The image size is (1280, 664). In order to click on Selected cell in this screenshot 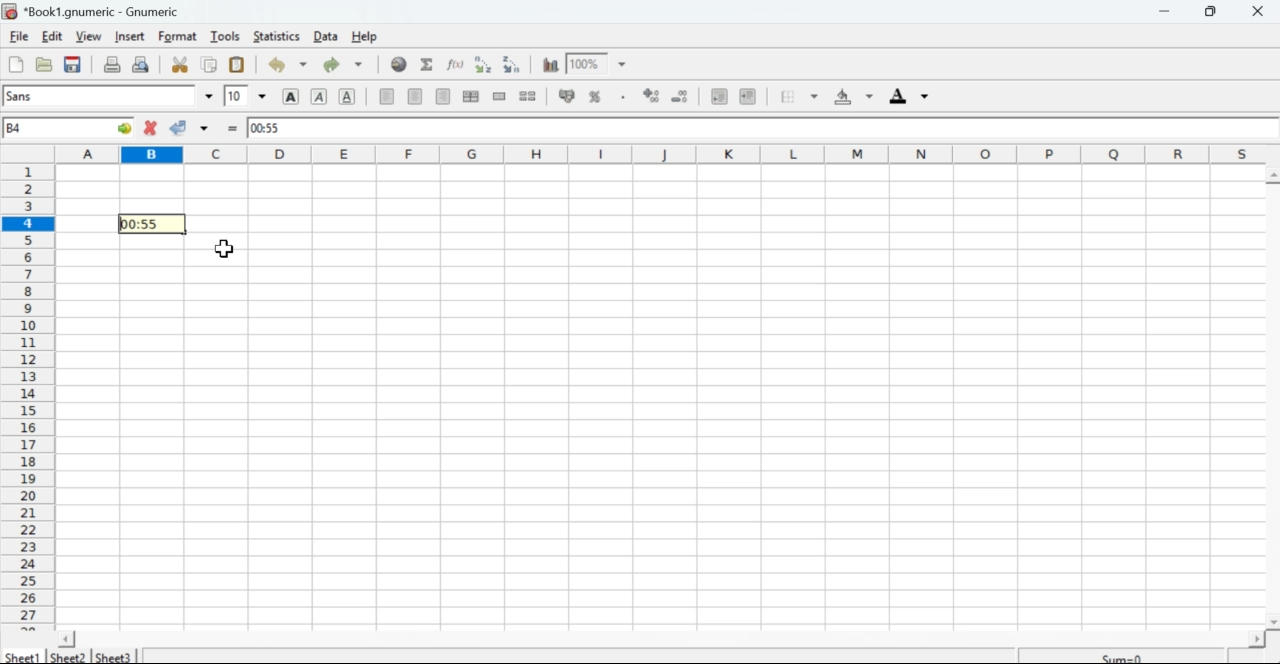, I will do `click(154, 222)`.